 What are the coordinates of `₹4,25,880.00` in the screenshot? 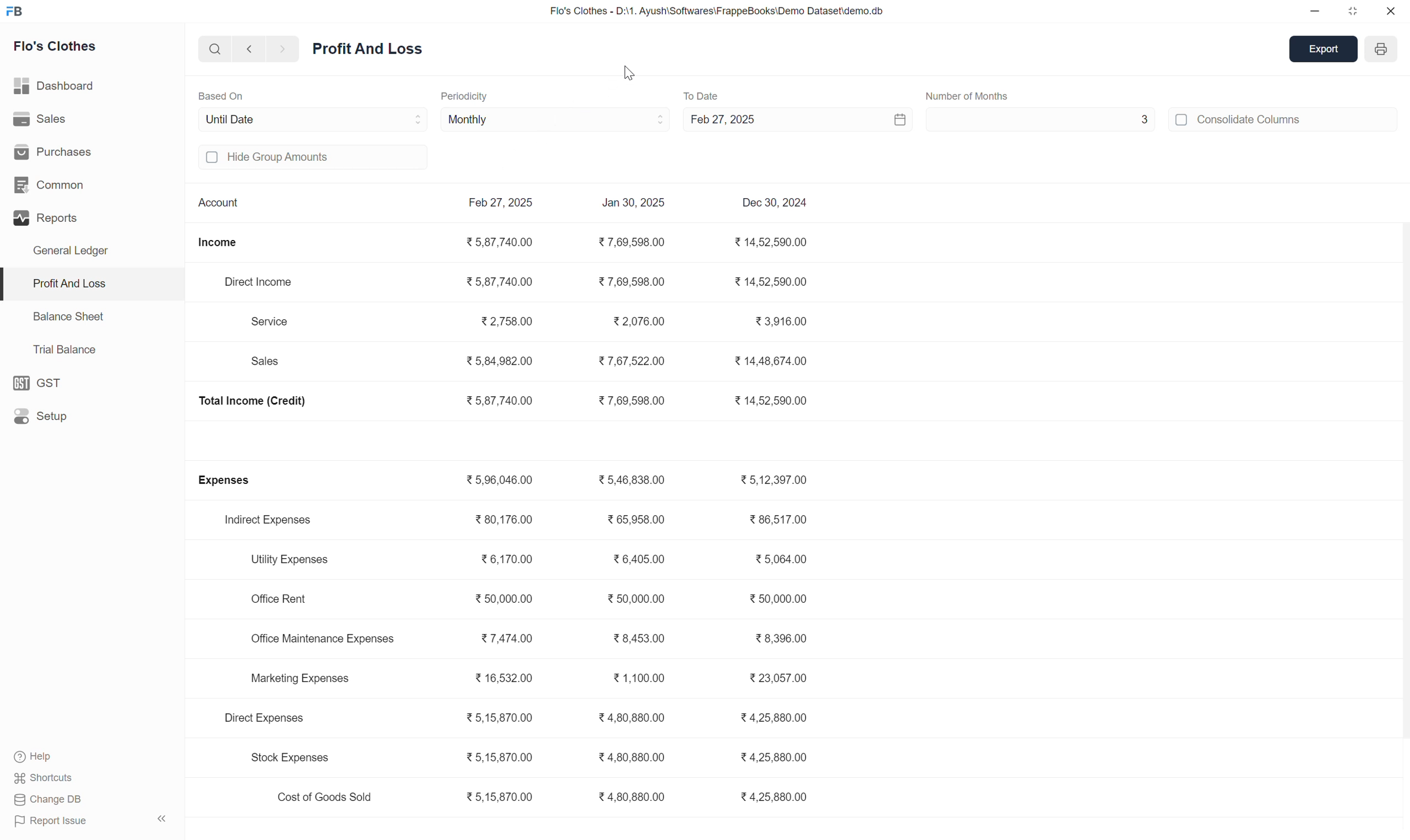 It's located at (775, 717).